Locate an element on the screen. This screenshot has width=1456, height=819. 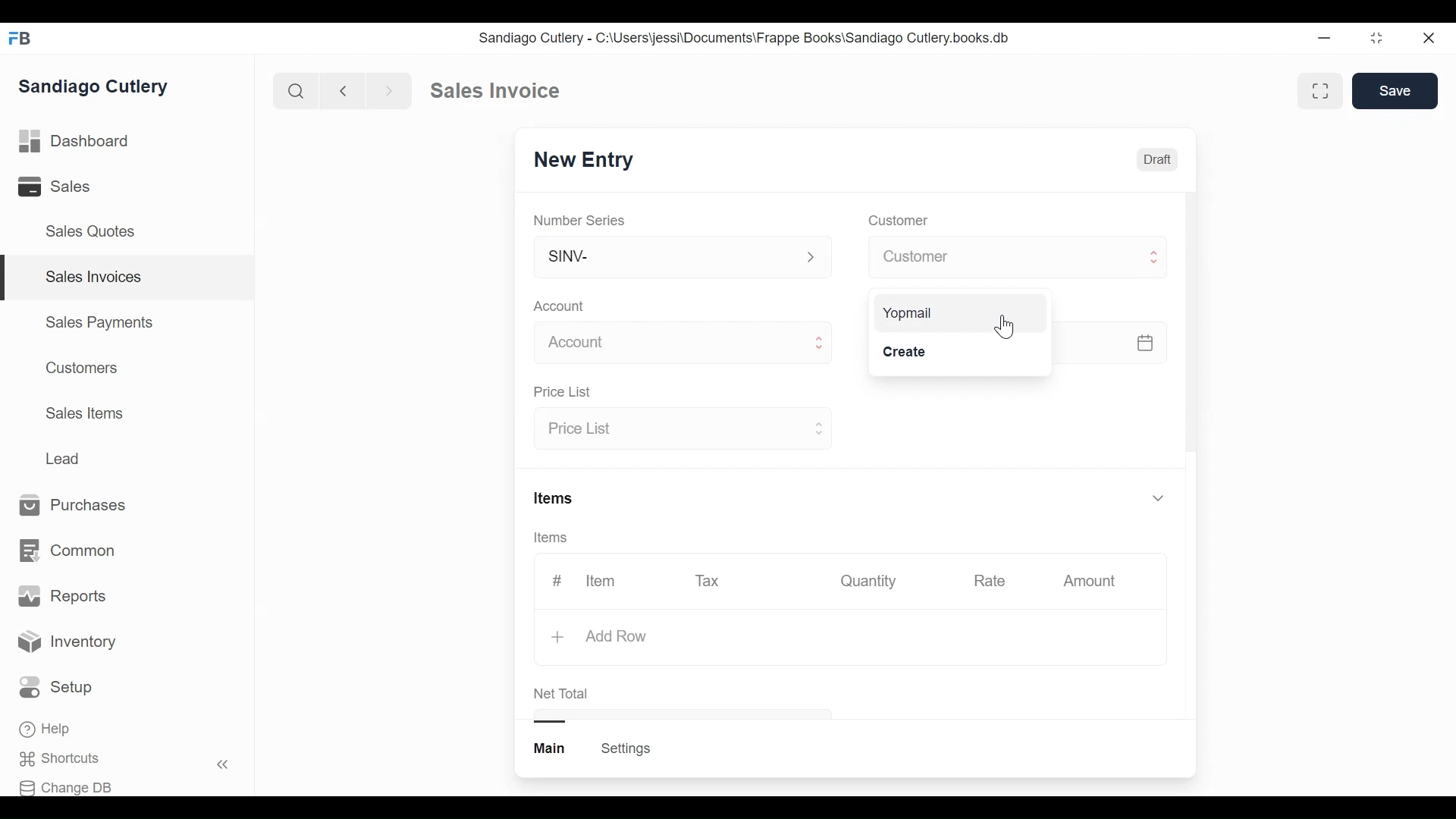
Customer is located at coordinates (1018, 256).